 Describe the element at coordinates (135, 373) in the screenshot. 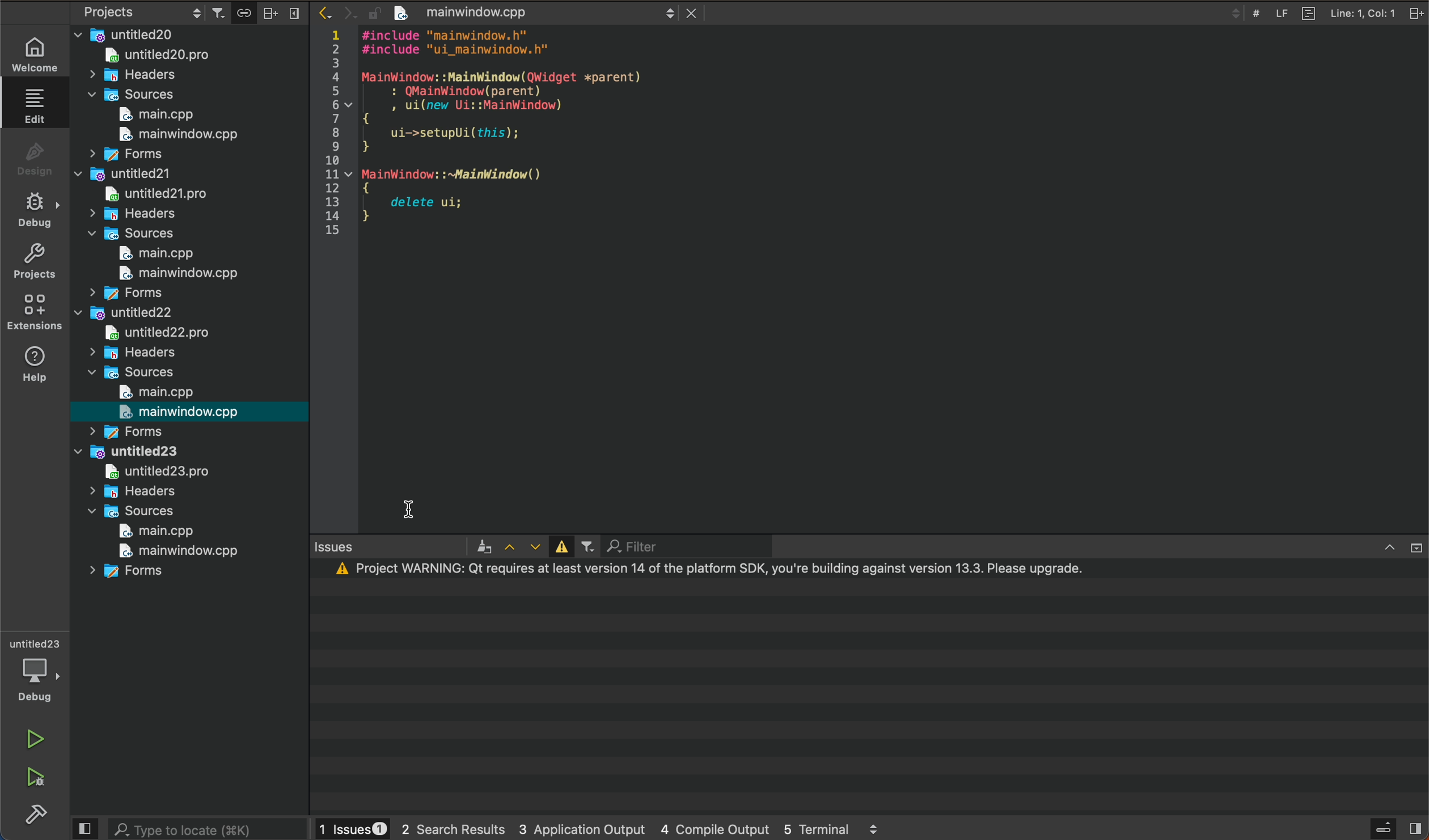

I see `sources` at that location.